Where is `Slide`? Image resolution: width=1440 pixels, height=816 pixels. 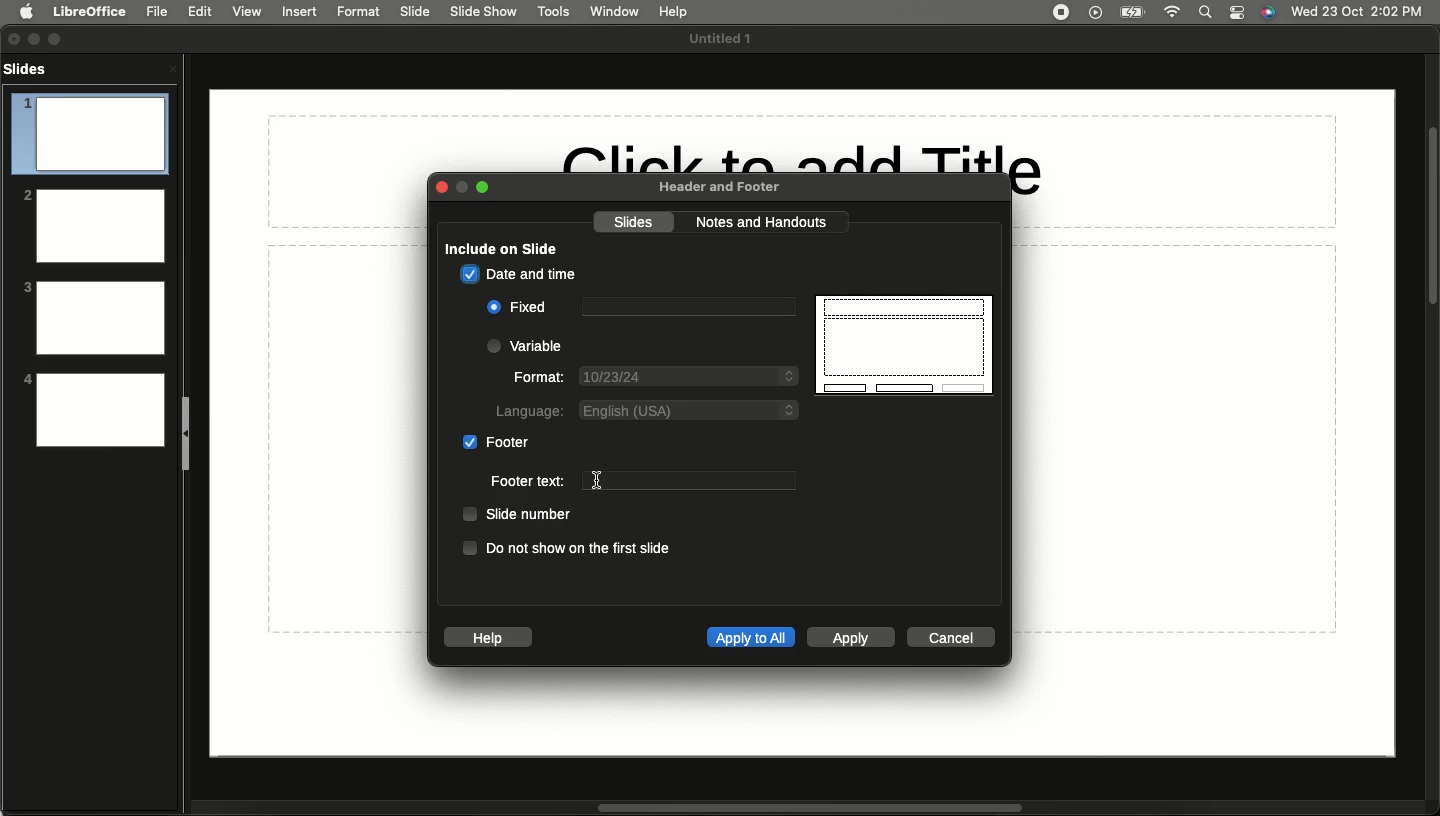 Slide is located at coordinates (416, 12).